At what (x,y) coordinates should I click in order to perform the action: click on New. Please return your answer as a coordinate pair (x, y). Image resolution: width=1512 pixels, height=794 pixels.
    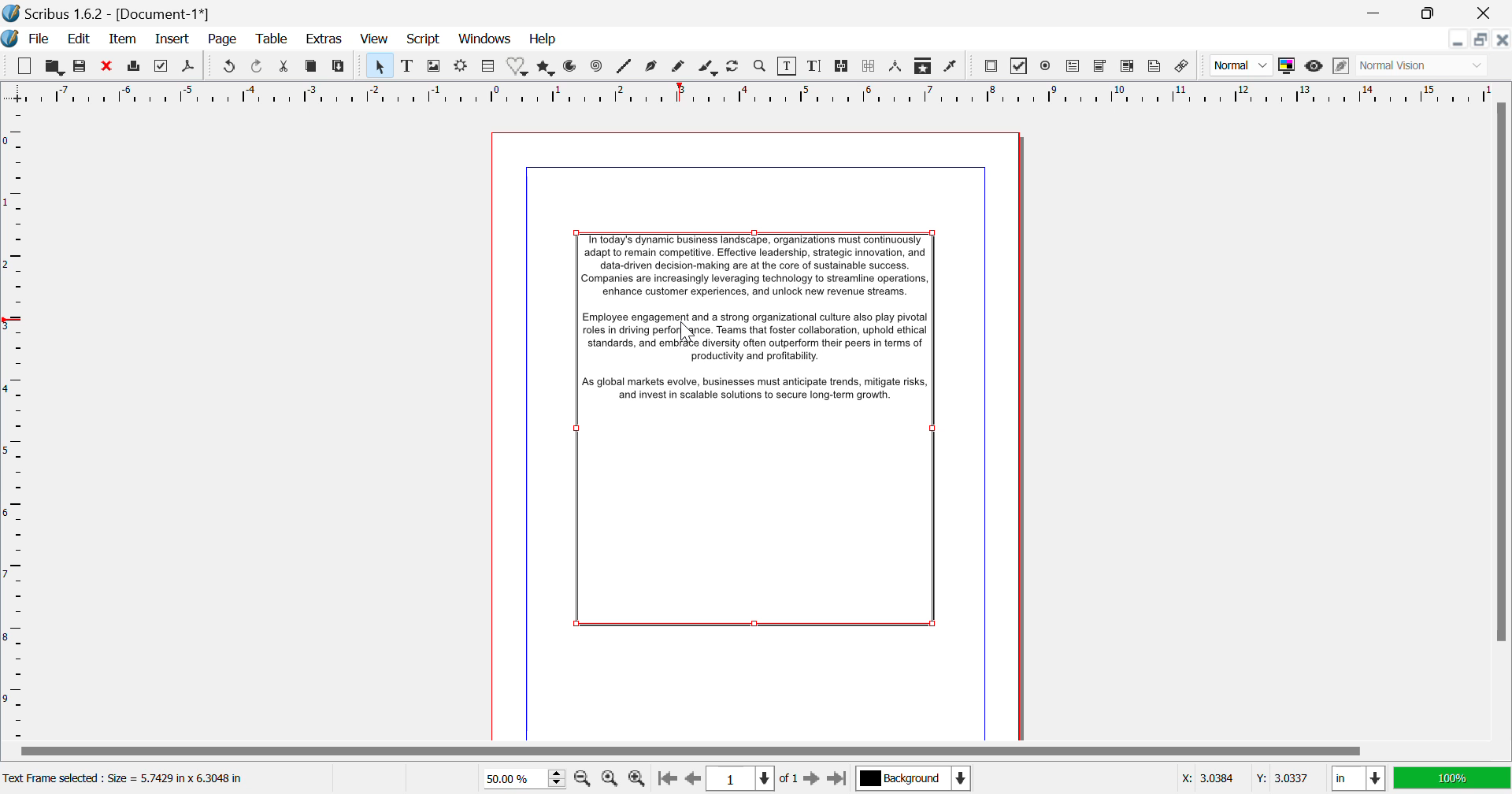
    Looking at the image, I should click on (24, 63).